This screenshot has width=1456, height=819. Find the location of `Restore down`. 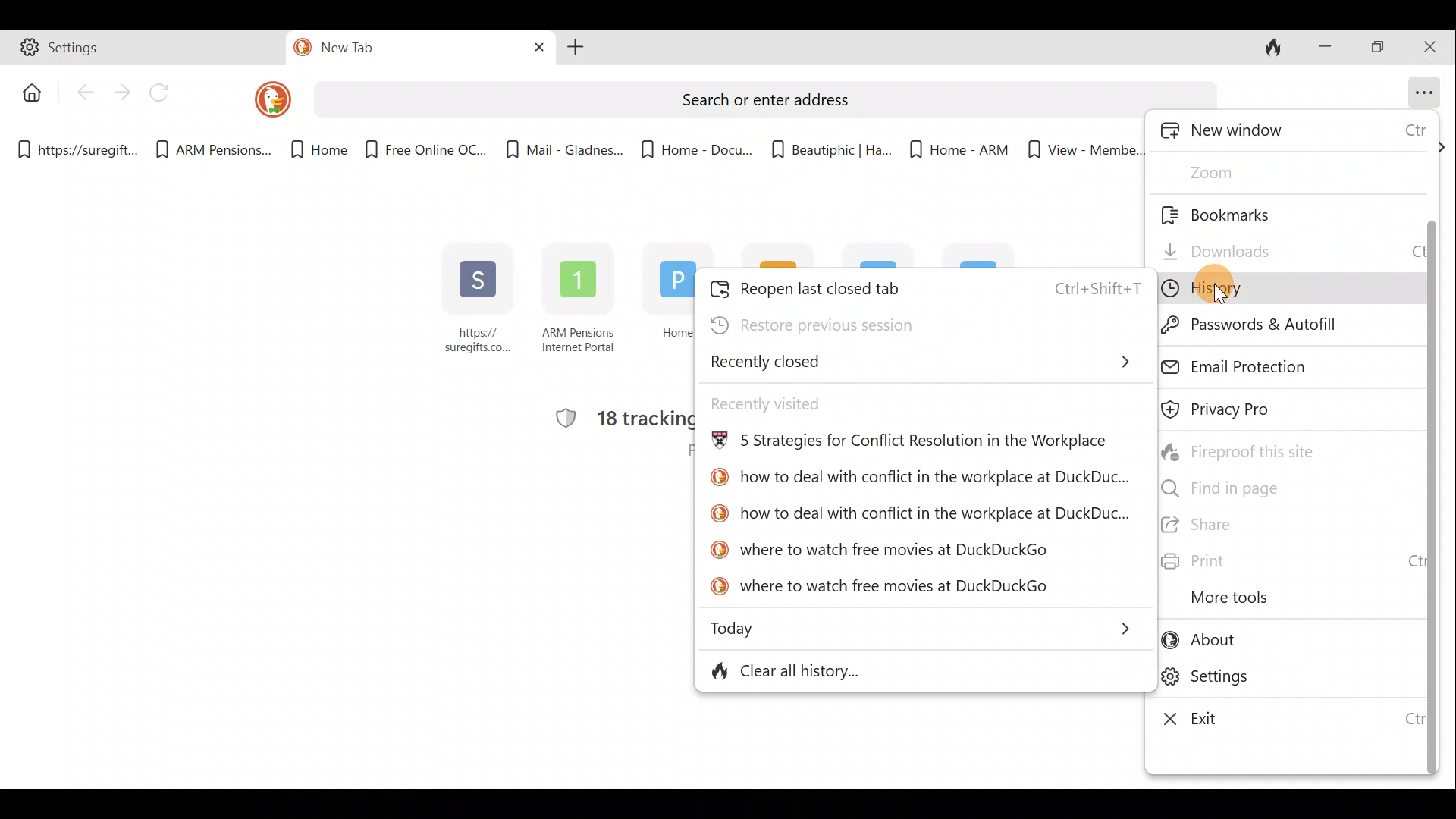

Restore down is located at coordinates (1380, 48).